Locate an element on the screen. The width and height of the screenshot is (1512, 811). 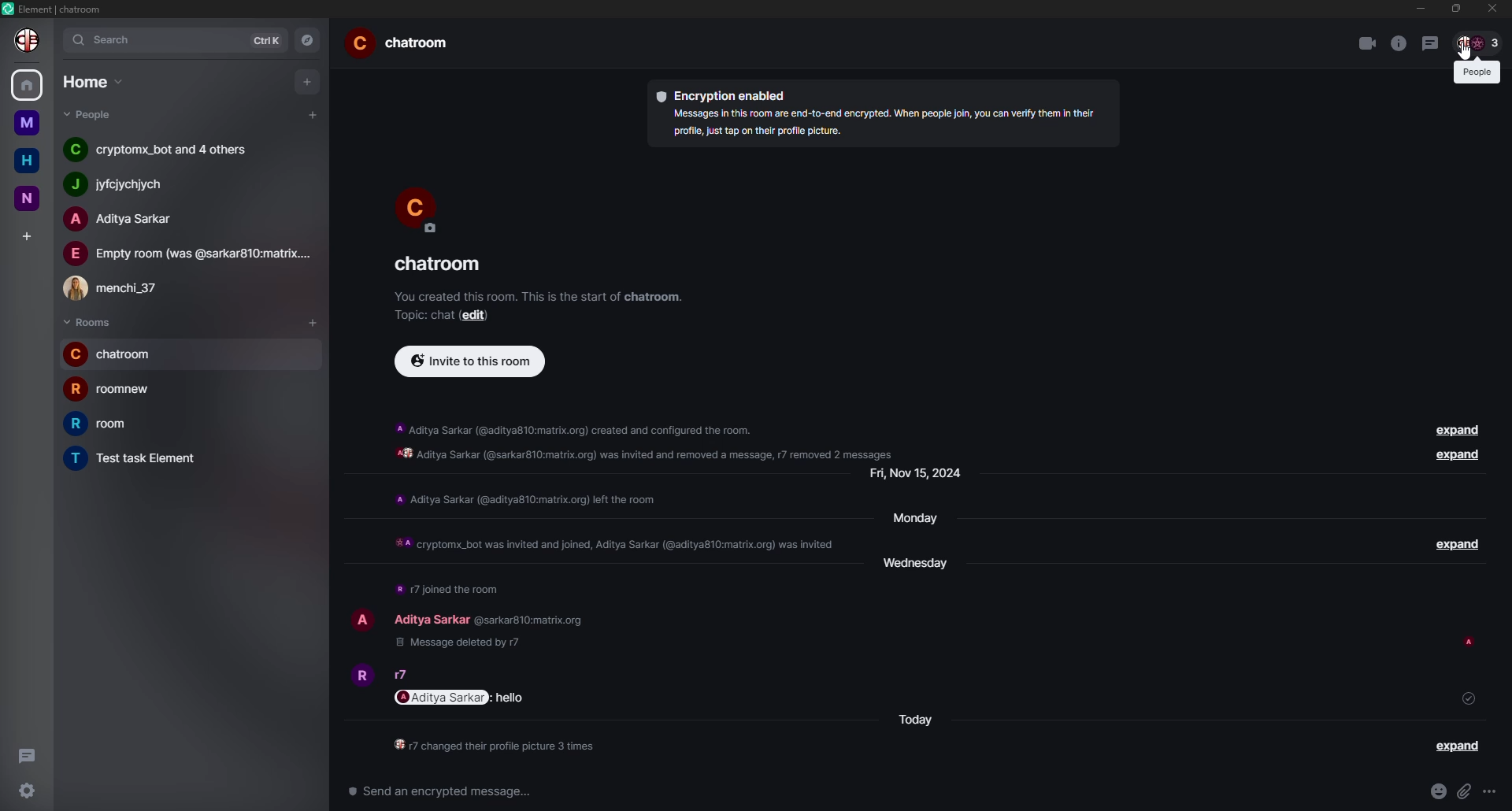
room is located at coordinates (112, 387).